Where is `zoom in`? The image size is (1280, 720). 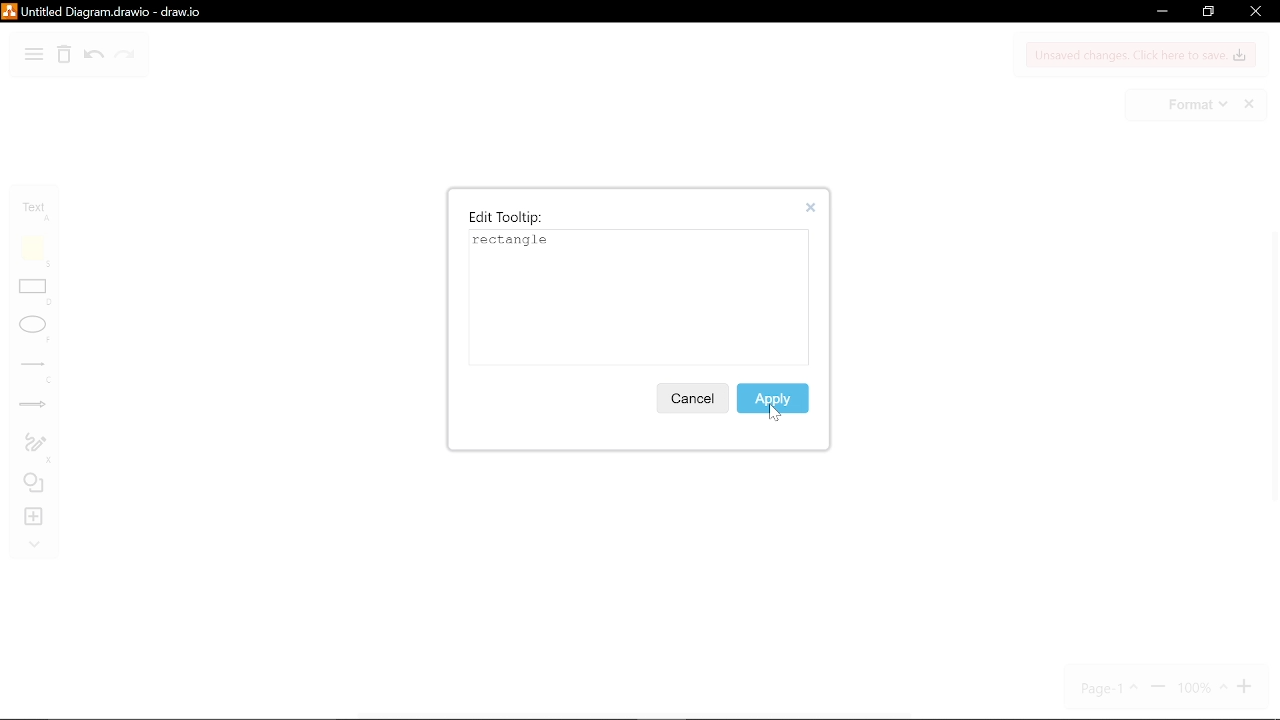
zoom in is located at coordinates (1247, 687).